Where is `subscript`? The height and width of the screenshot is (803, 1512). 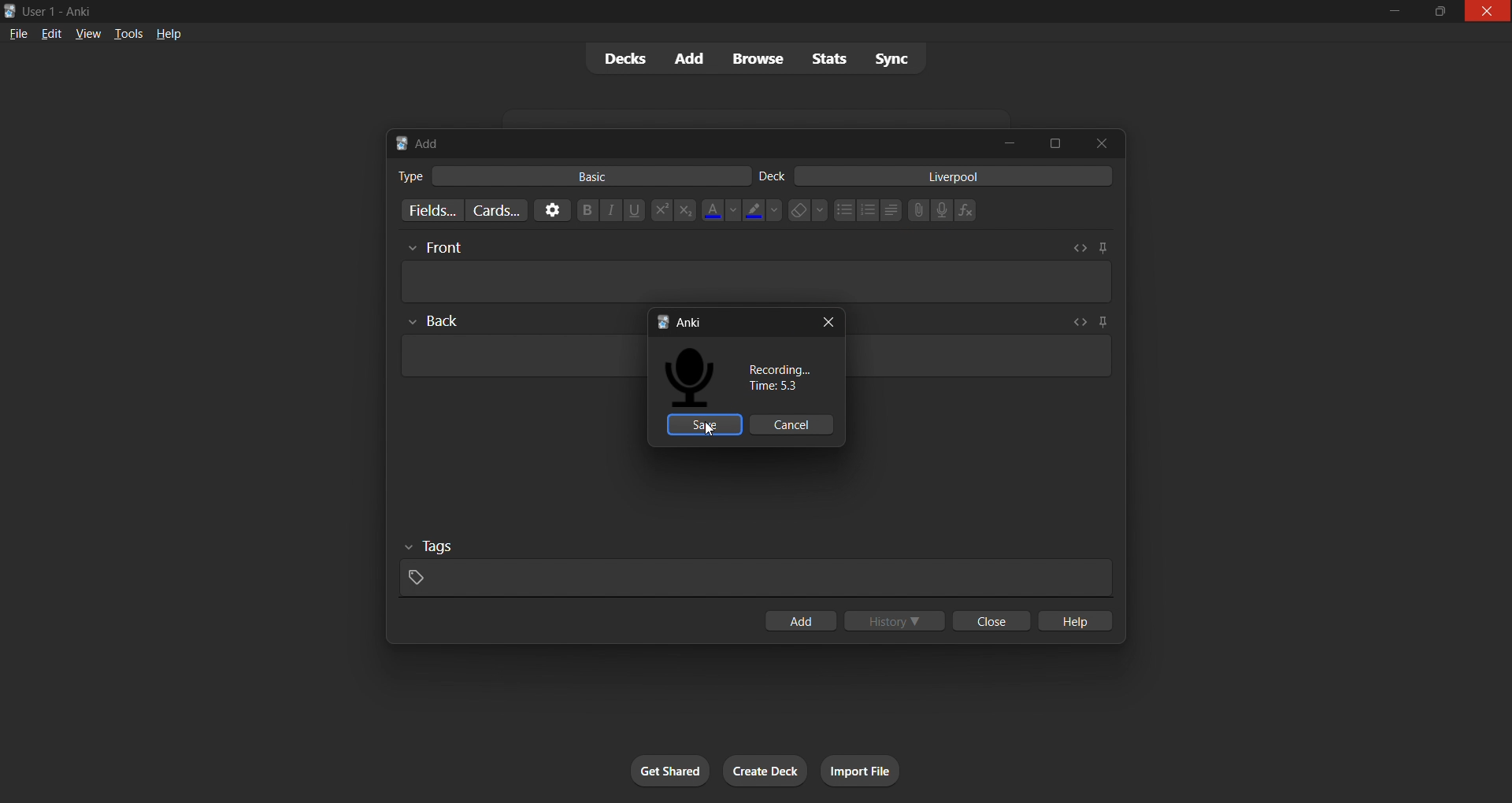 subscript is located at coordinates (685, 211).